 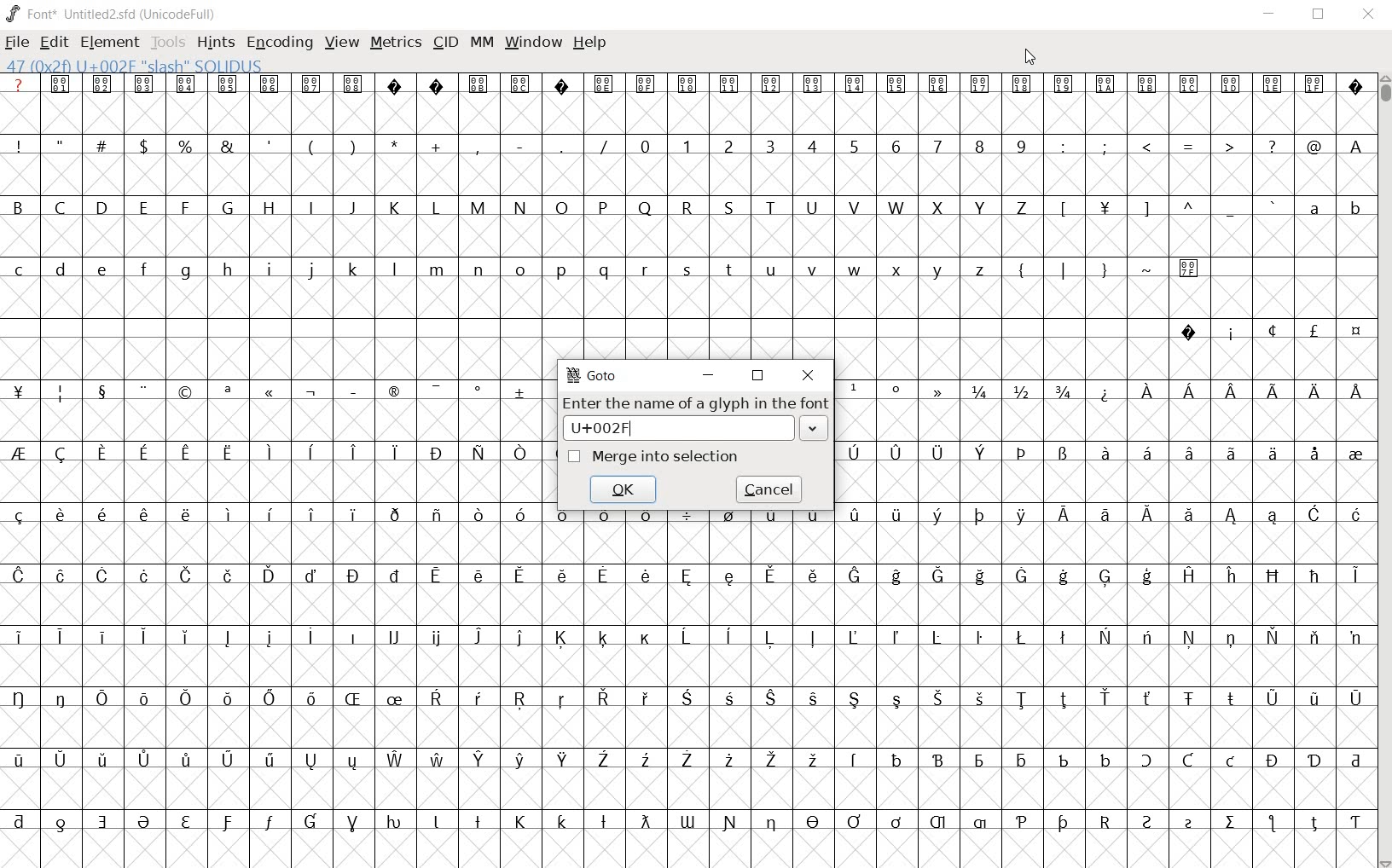 I want to click on special symbols, so click(x=685, y=84).